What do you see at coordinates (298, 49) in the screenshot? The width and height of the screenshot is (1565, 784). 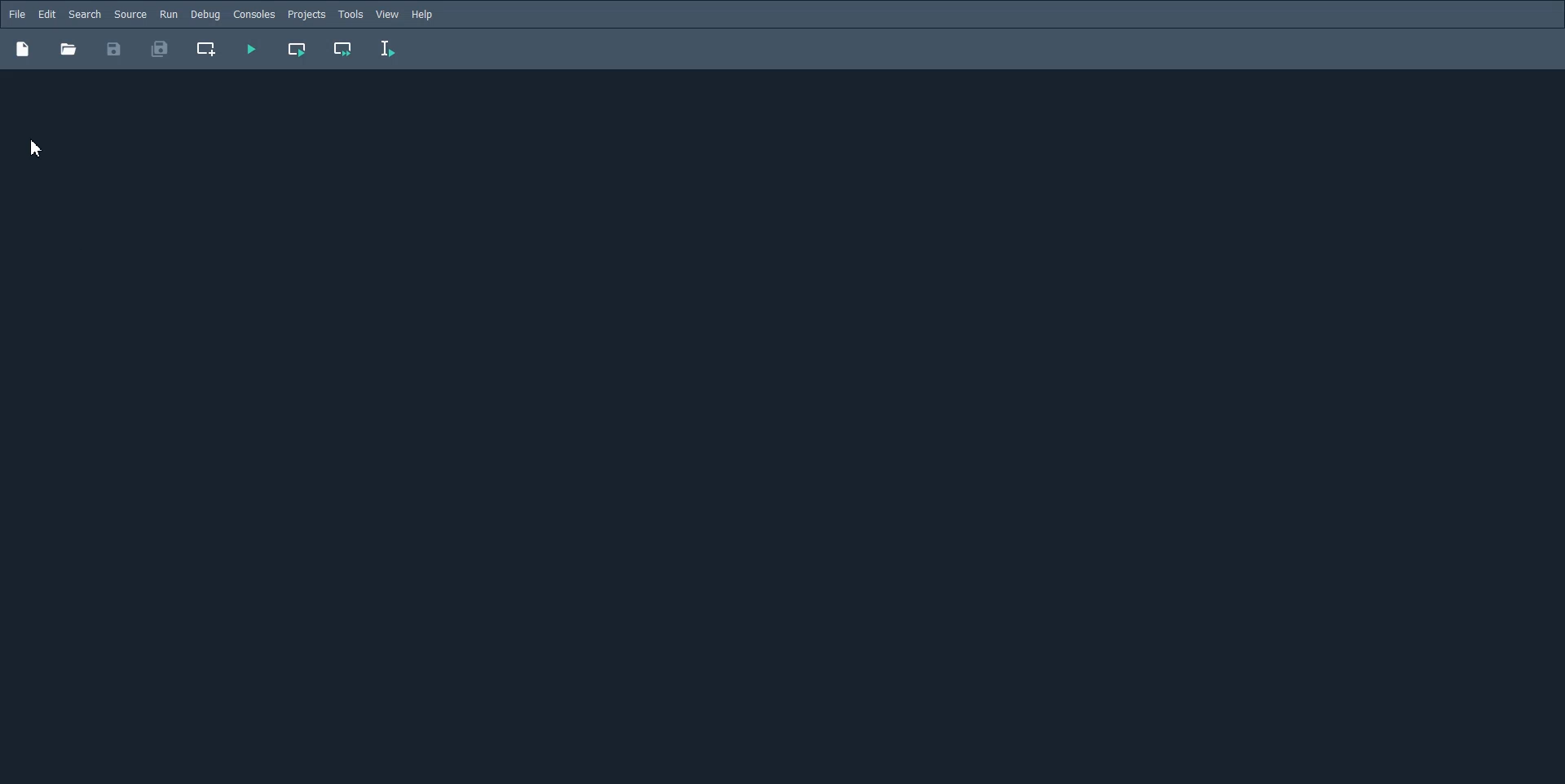 I see `Run Current cell` at bounding box center [298, 49].